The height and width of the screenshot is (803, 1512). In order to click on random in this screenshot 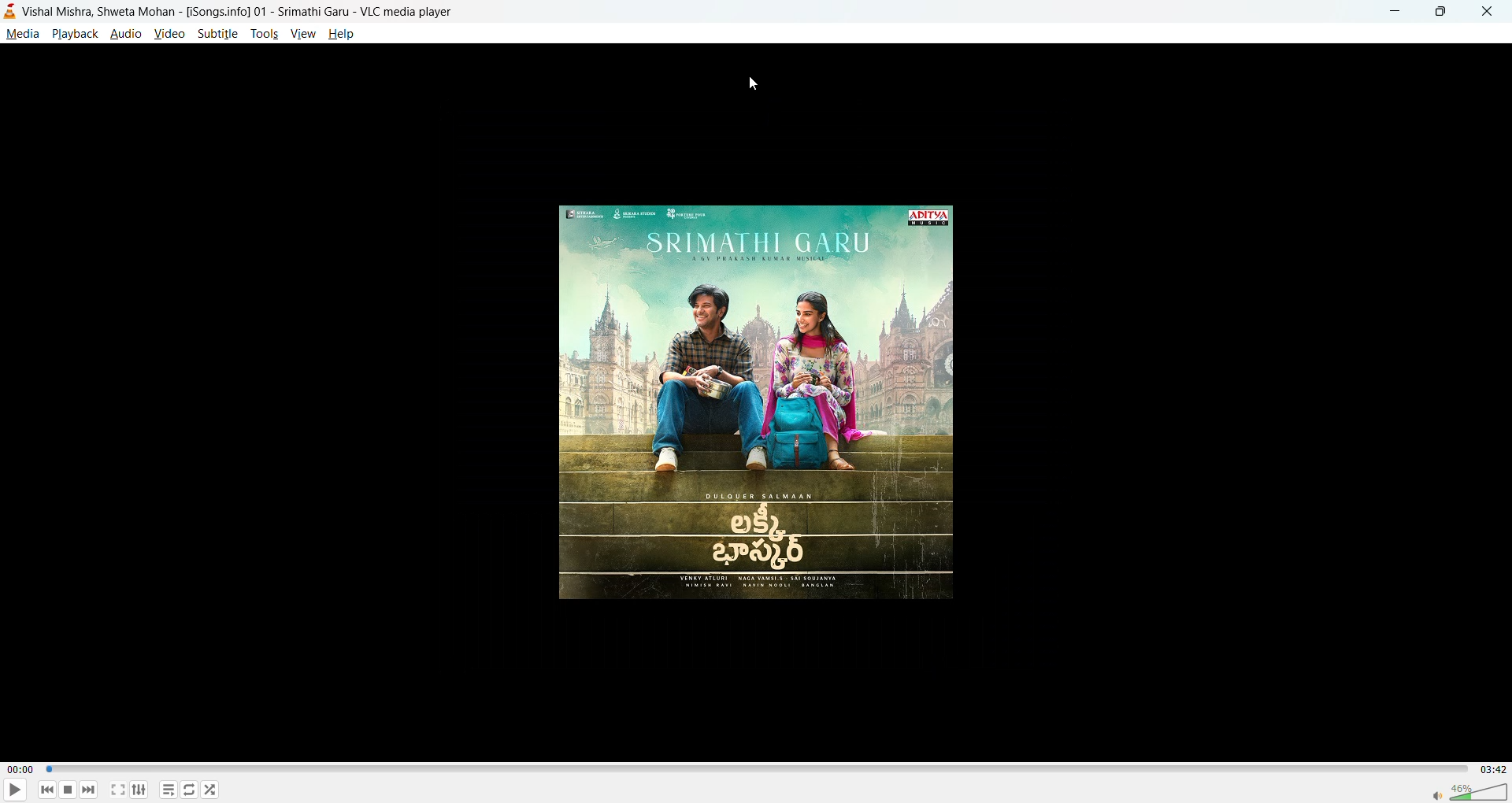, I will do `click(210, 789)`.